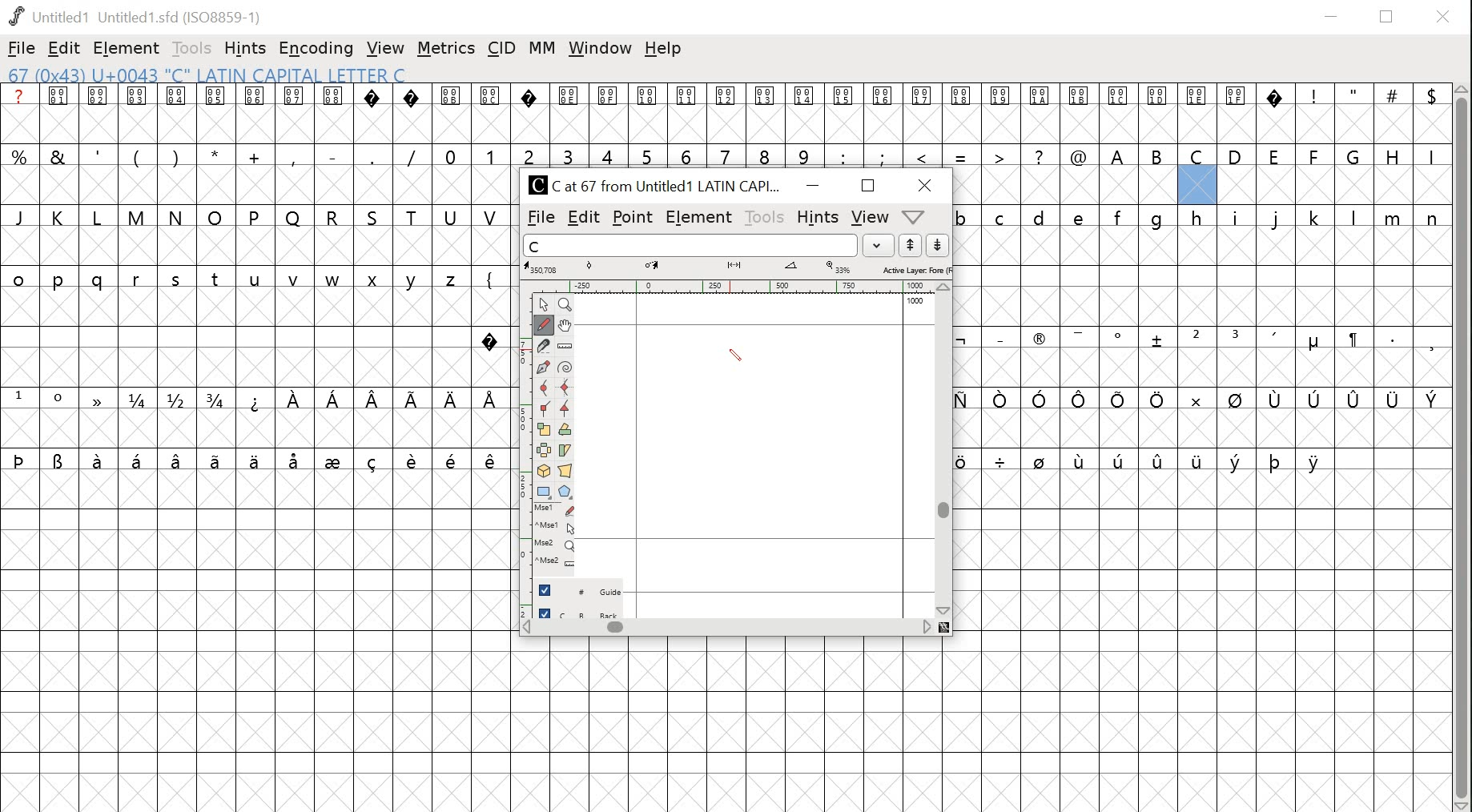 The image size is (1472, 812). I want to click on mm, so click(540, 50).